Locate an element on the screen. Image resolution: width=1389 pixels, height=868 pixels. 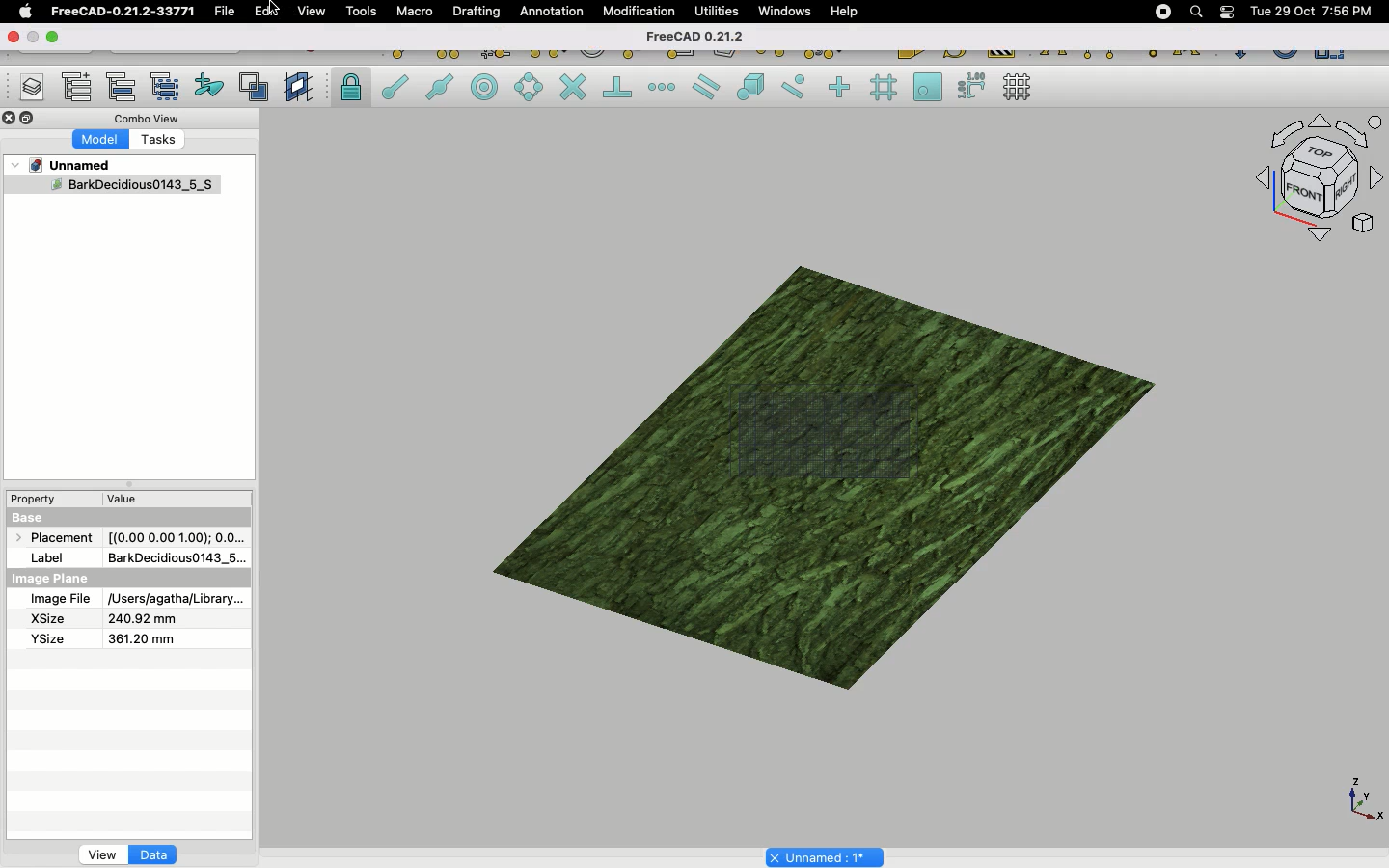
View is located at coordinates (102, 854).